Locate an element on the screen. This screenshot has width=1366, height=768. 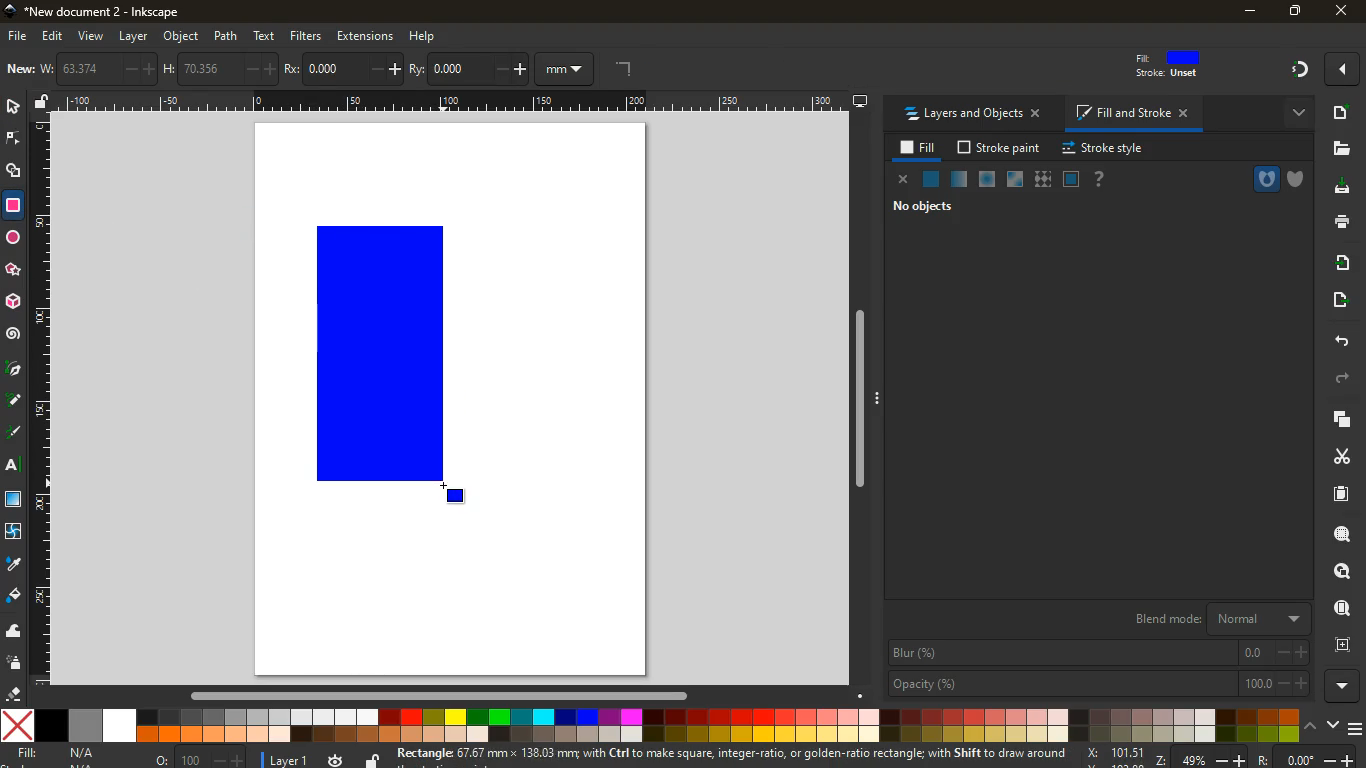
edge is located at coordinates (14, 142).